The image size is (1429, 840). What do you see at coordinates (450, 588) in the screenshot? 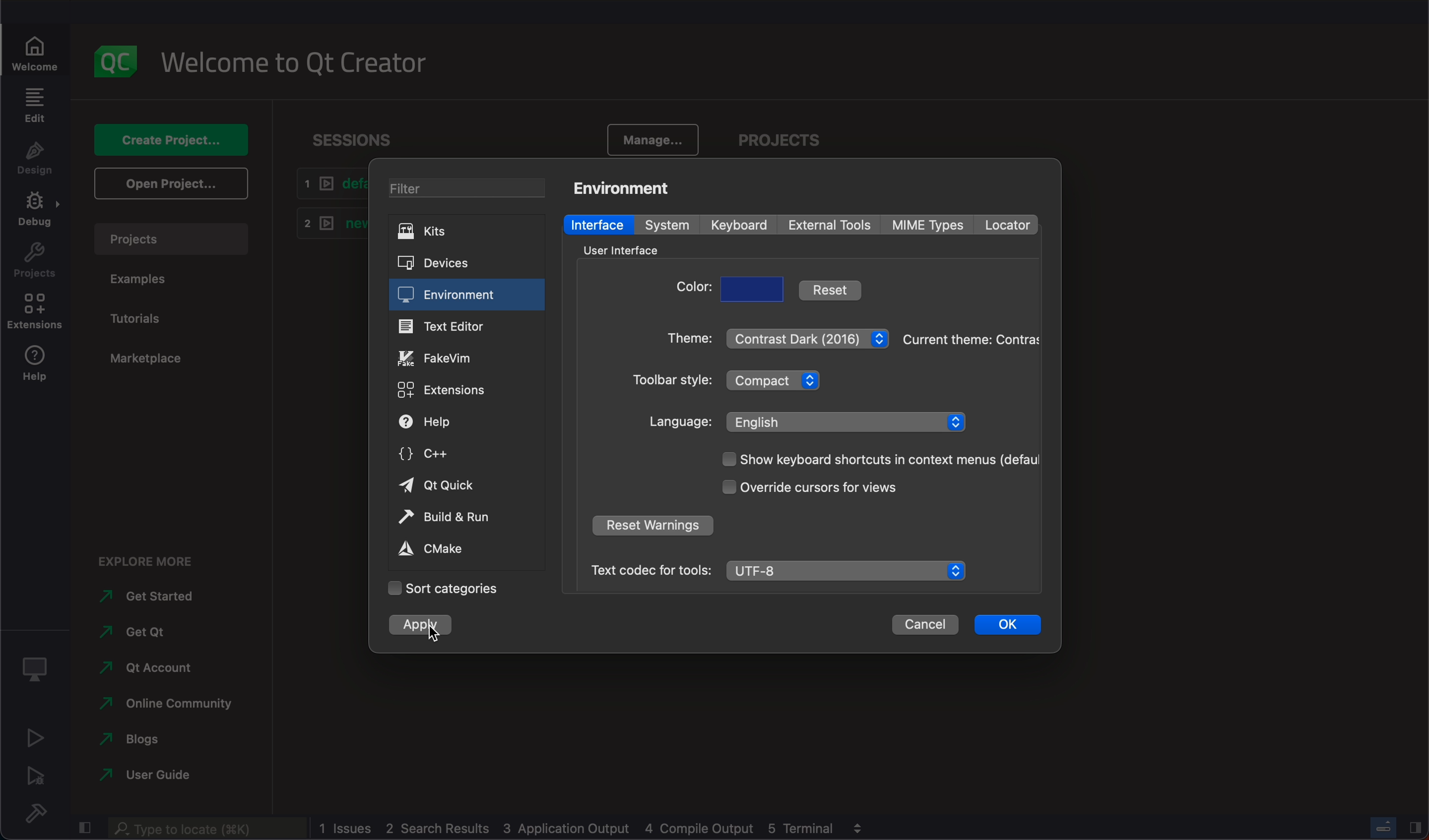
I see `categories` at bounding box center [450, 588].